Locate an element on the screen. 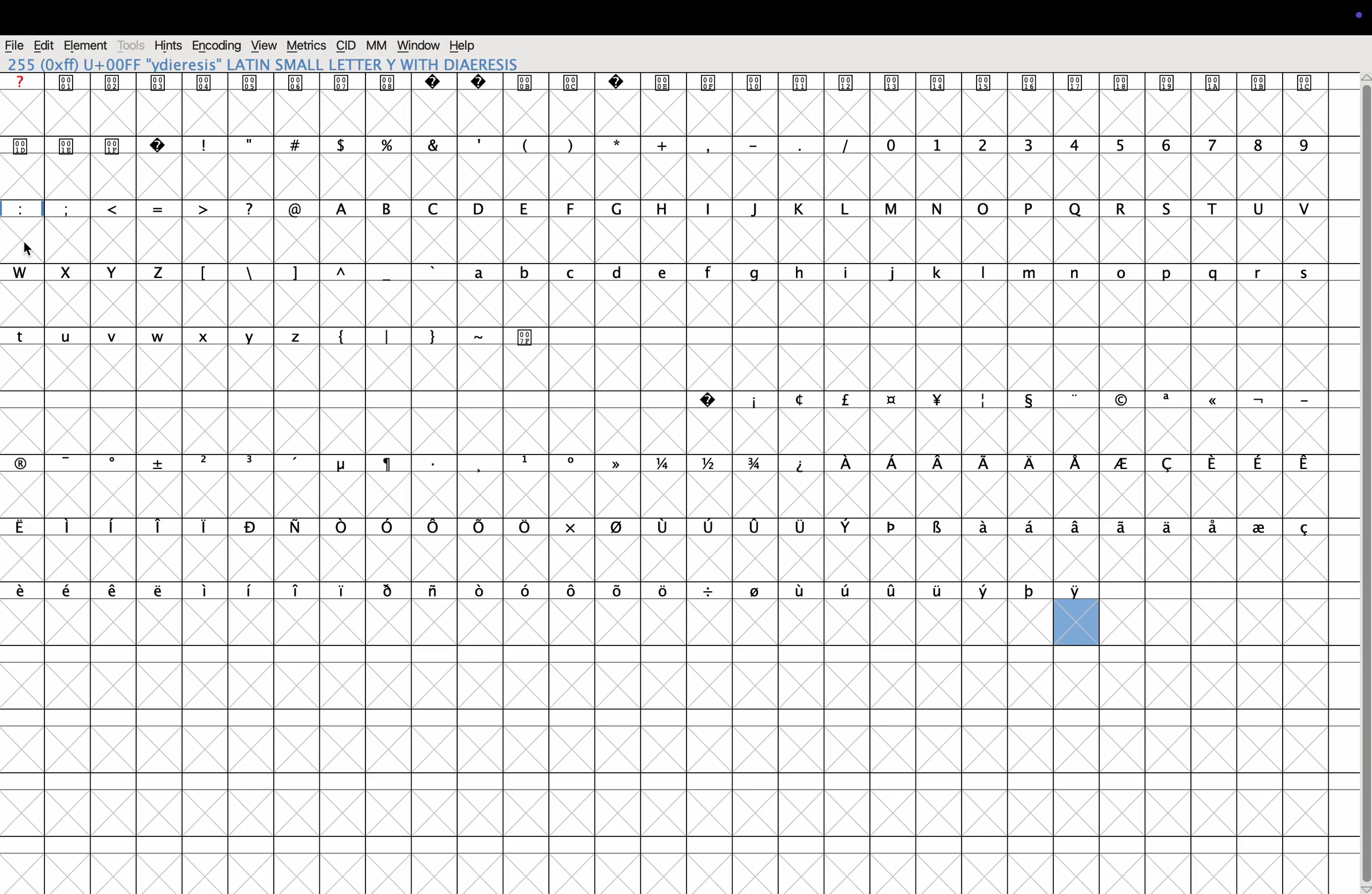 The height and width of the screenshot is (894, 1372). metrics is located at coordinates (307, 46).